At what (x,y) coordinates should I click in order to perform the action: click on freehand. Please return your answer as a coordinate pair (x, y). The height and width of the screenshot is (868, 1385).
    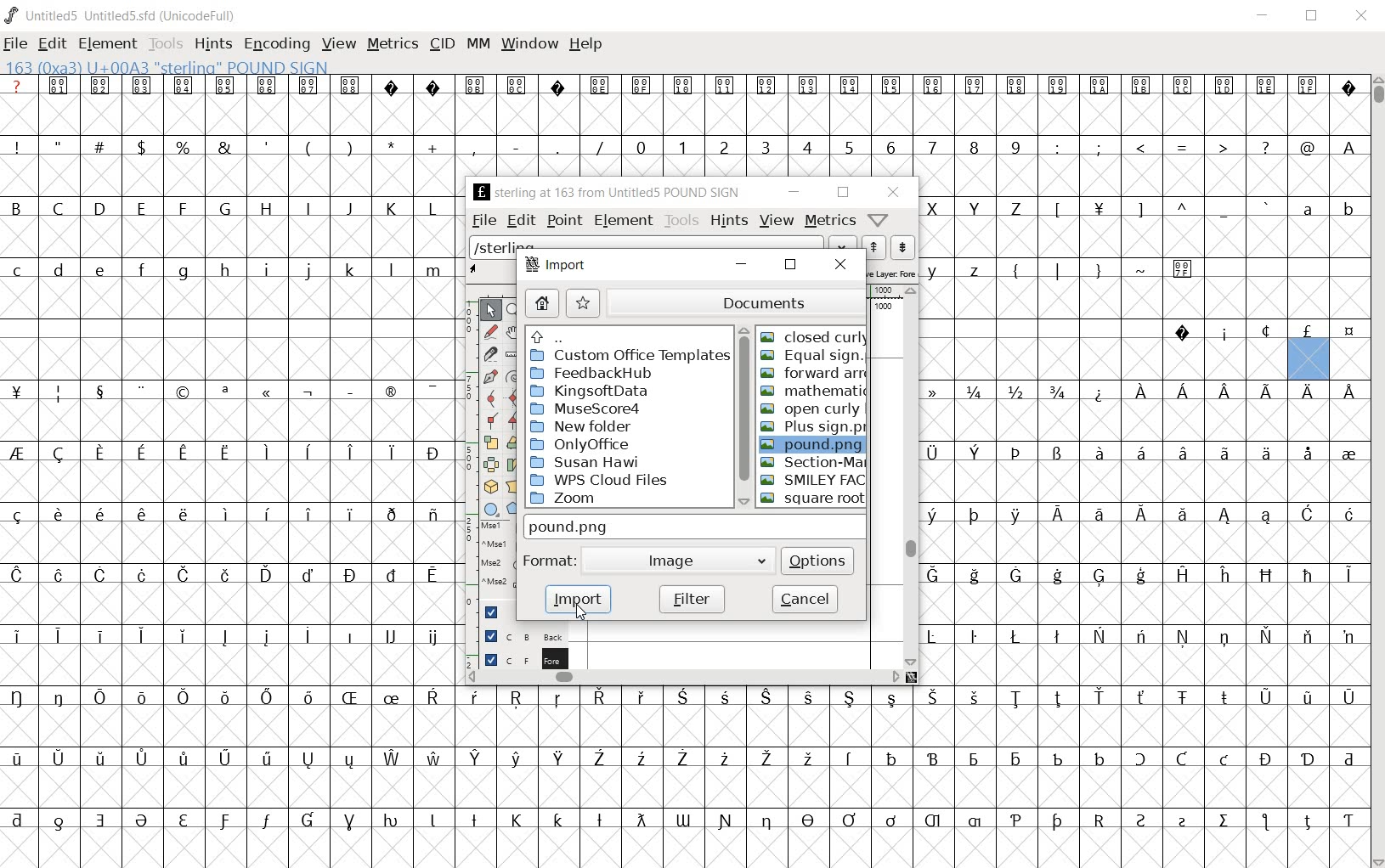
    Looking at the image, I should click on (493, 334).